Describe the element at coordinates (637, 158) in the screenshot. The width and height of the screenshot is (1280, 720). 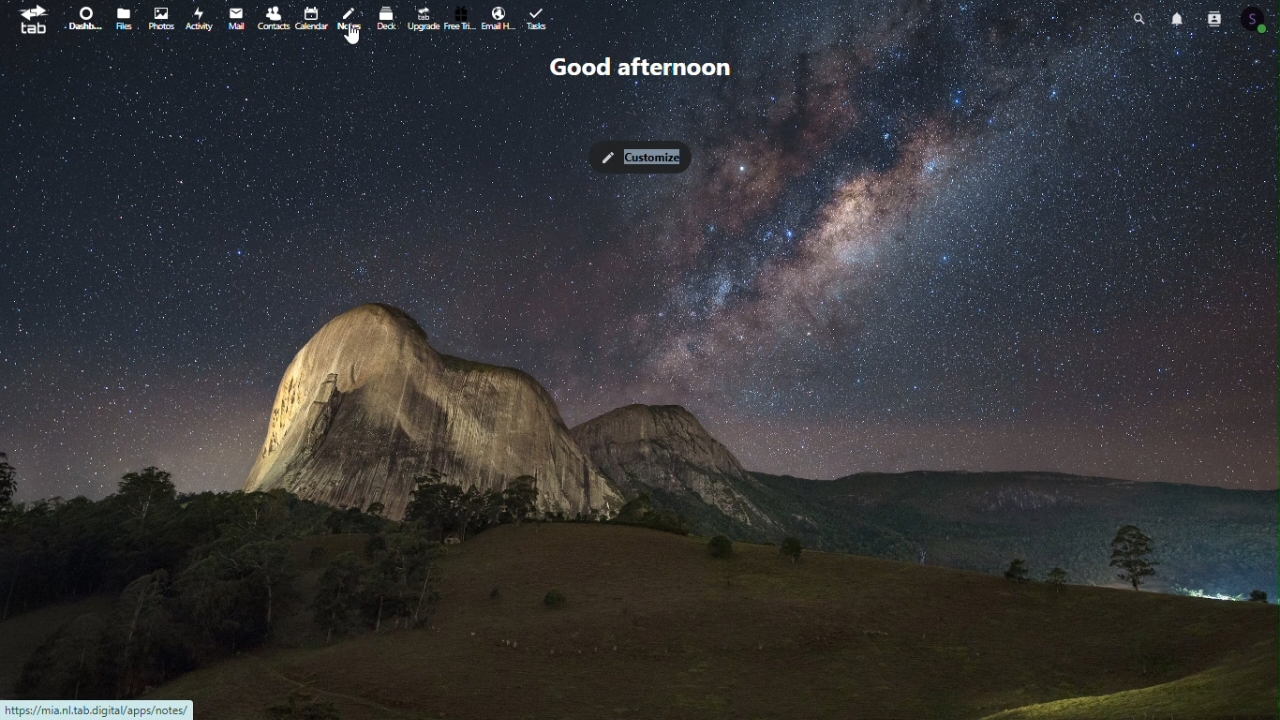
I see `Customize` at that location.